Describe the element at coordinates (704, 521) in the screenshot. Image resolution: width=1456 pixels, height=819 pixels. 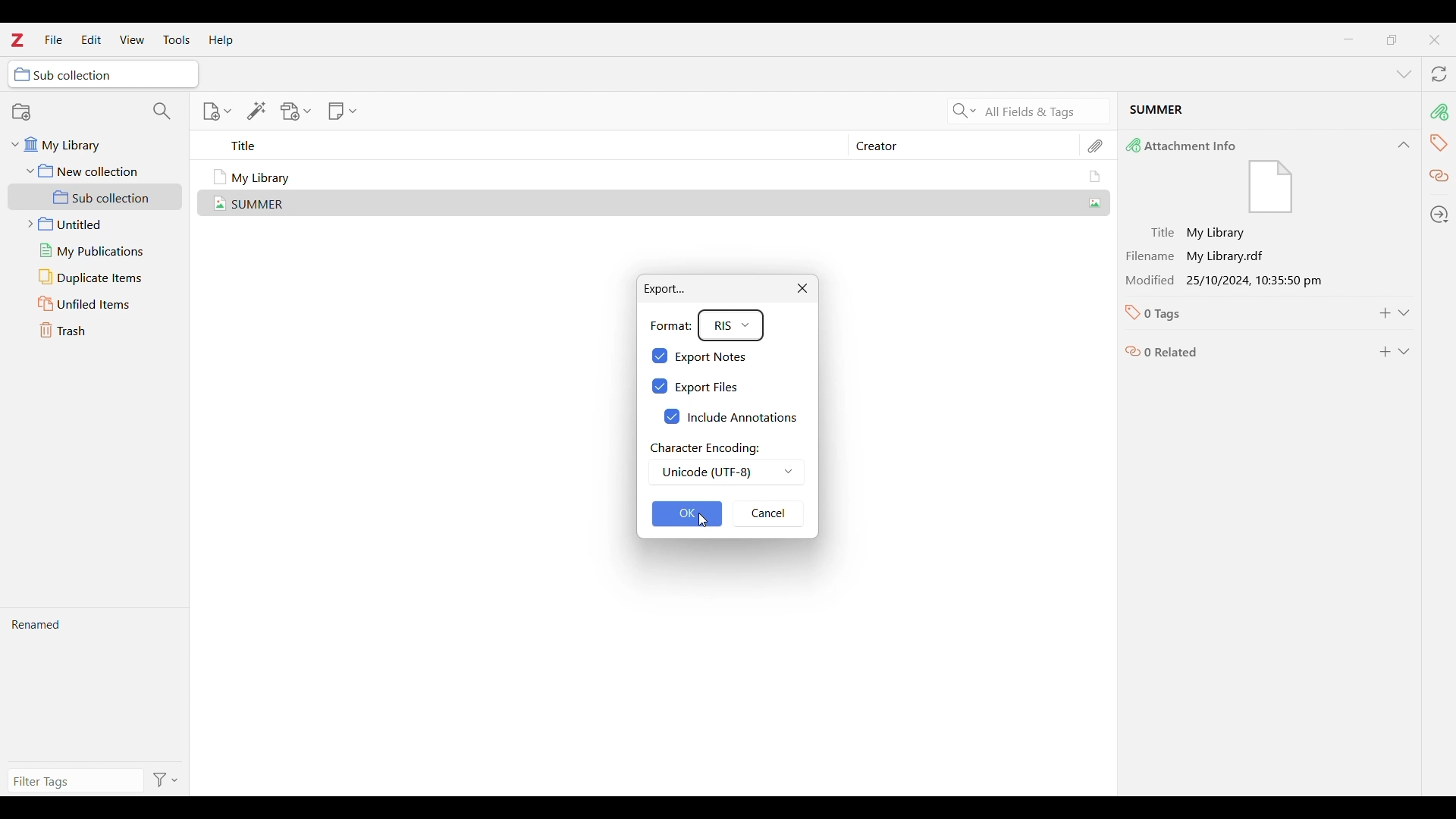
I see `Cursor` at that location.